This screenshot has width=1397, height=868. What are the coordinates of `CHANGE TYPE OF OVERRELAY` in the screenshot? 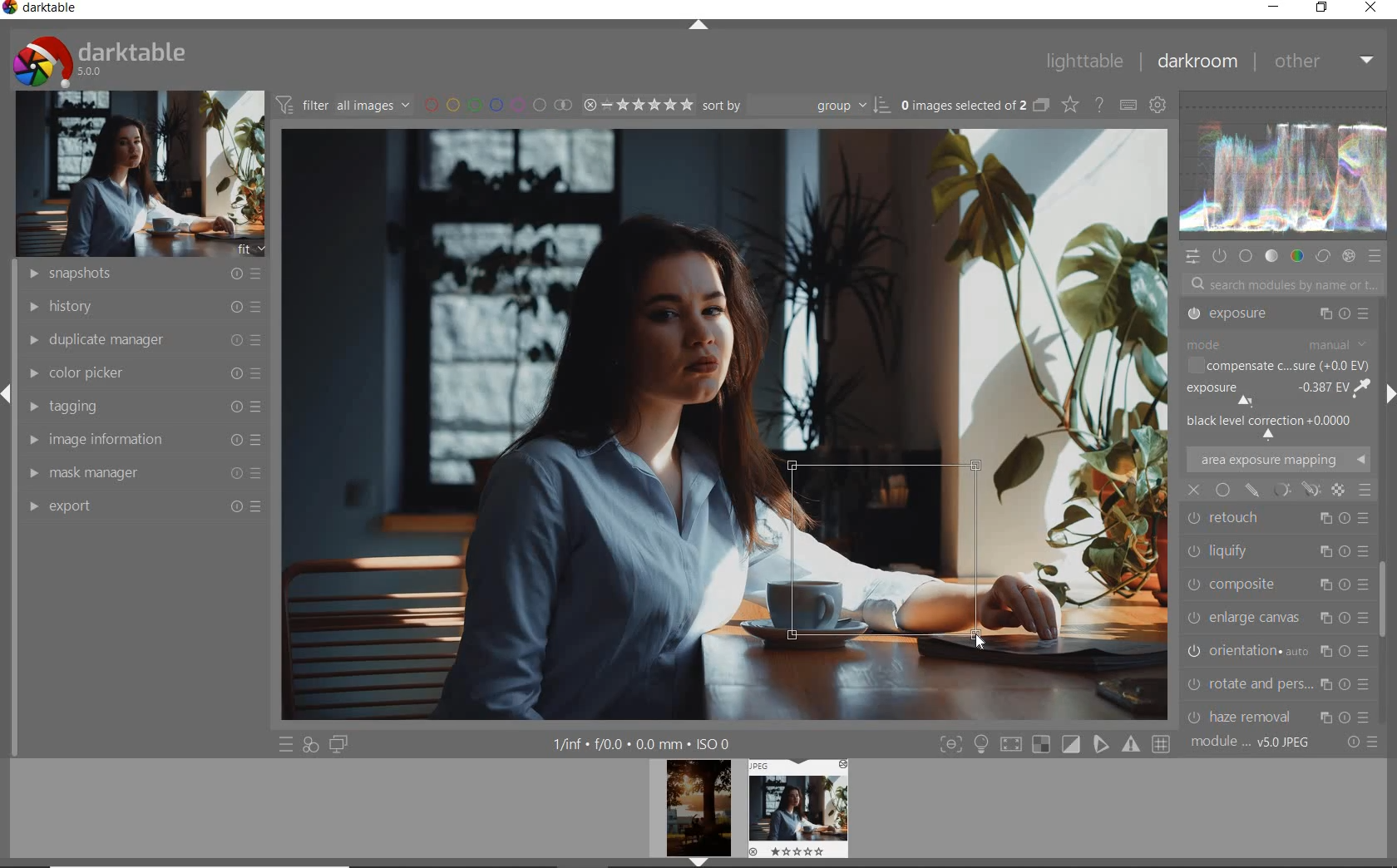 It's located at (1069, 104).